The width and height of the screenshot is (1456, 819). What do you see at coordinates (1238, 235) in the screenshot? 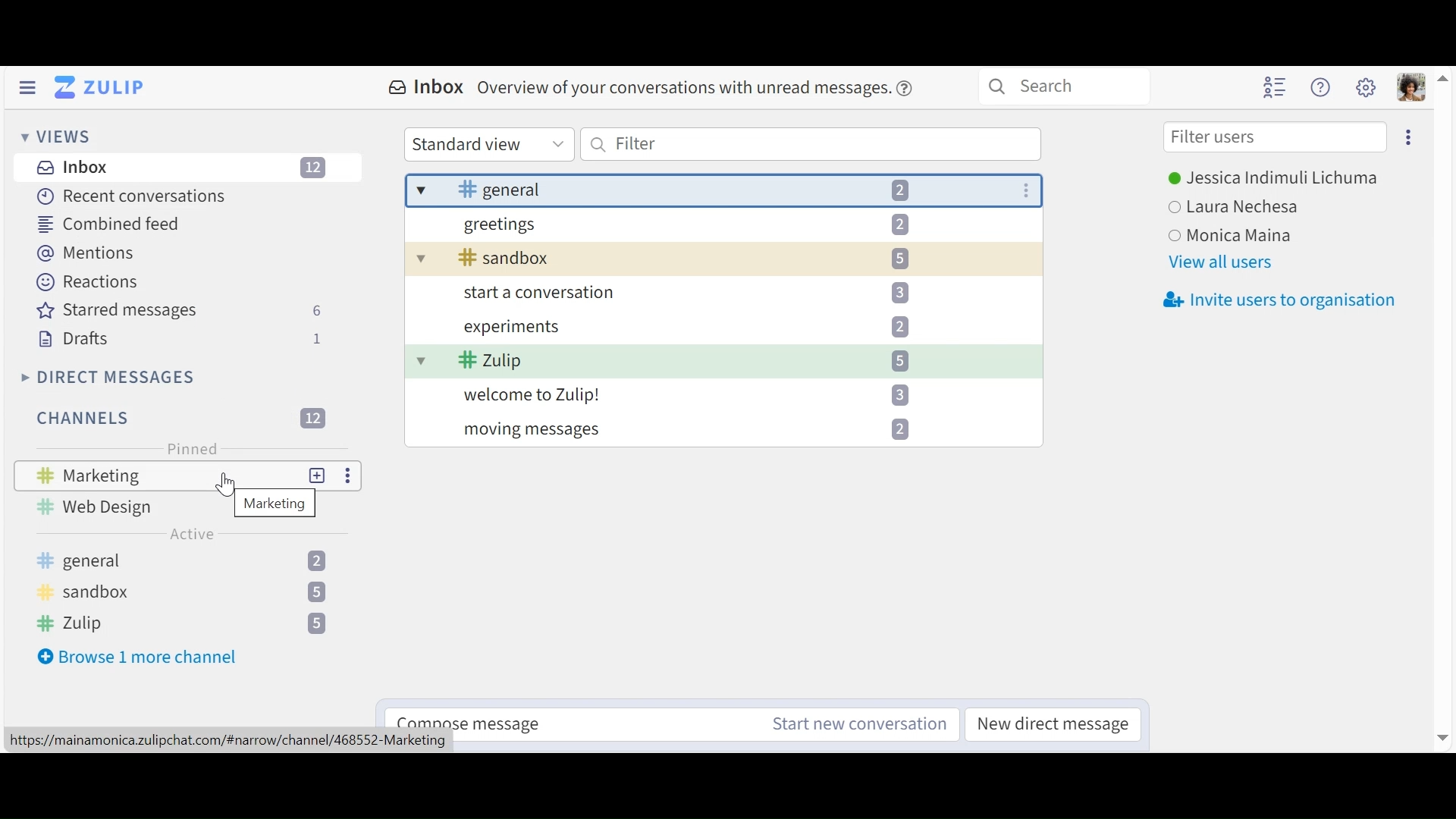
I see `user3` at bounding box center [1238, 235].